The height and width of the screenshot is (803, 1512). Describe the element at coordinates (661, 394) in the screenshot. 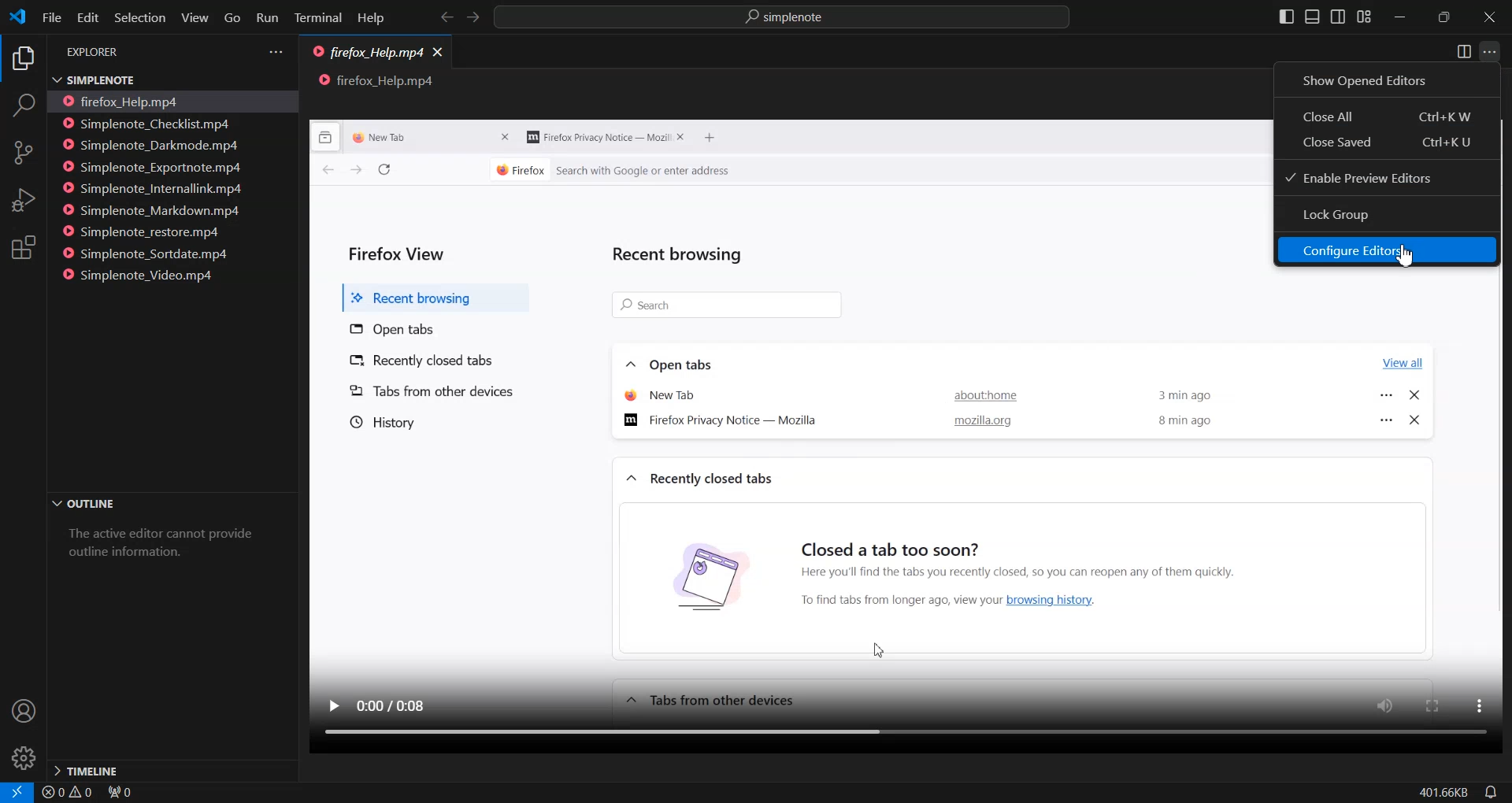

I see `NewT ab` at that location.